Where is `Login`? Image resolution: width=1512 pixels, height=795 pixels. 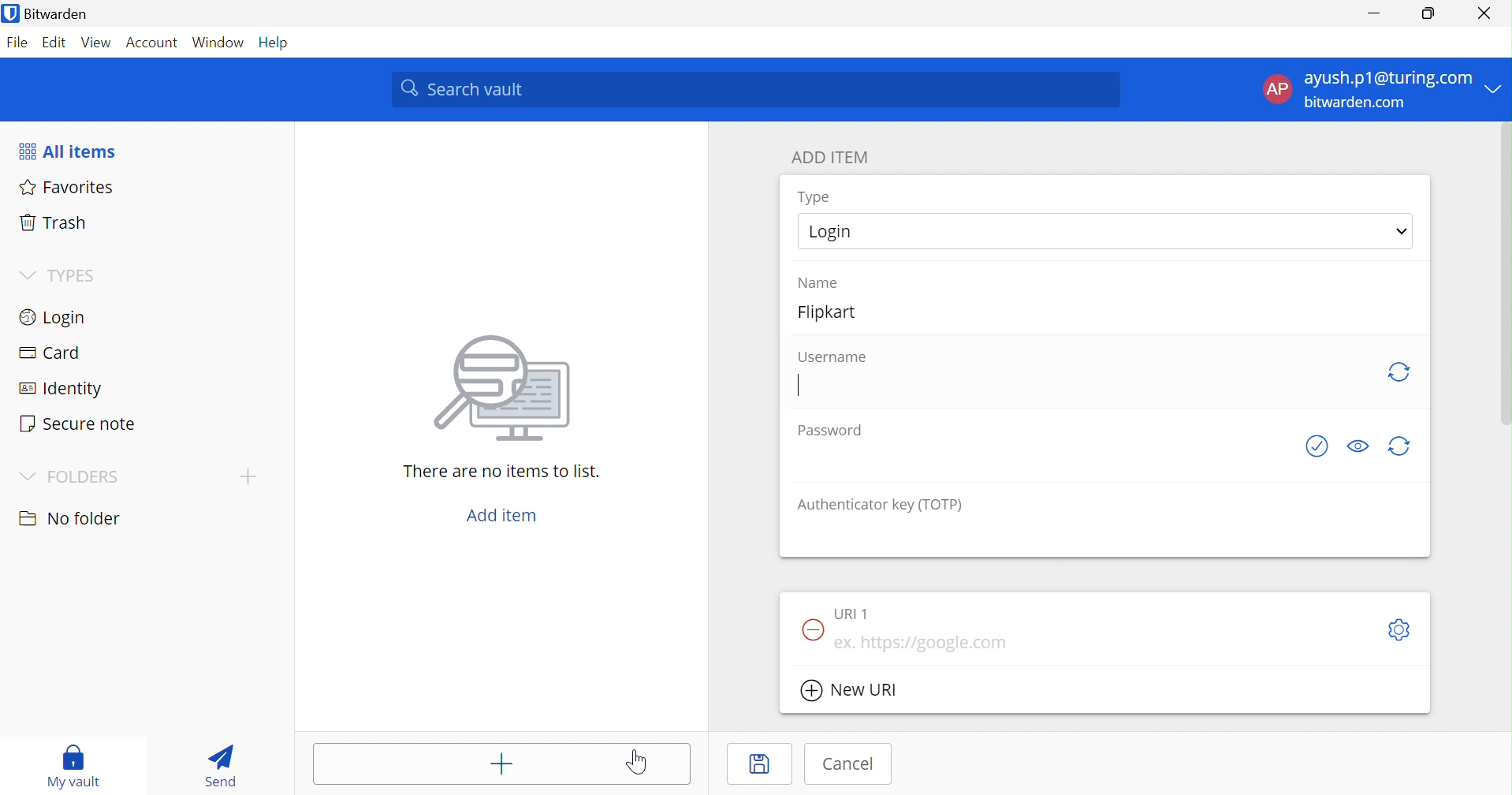
Login is located at coordinates (56, 319).